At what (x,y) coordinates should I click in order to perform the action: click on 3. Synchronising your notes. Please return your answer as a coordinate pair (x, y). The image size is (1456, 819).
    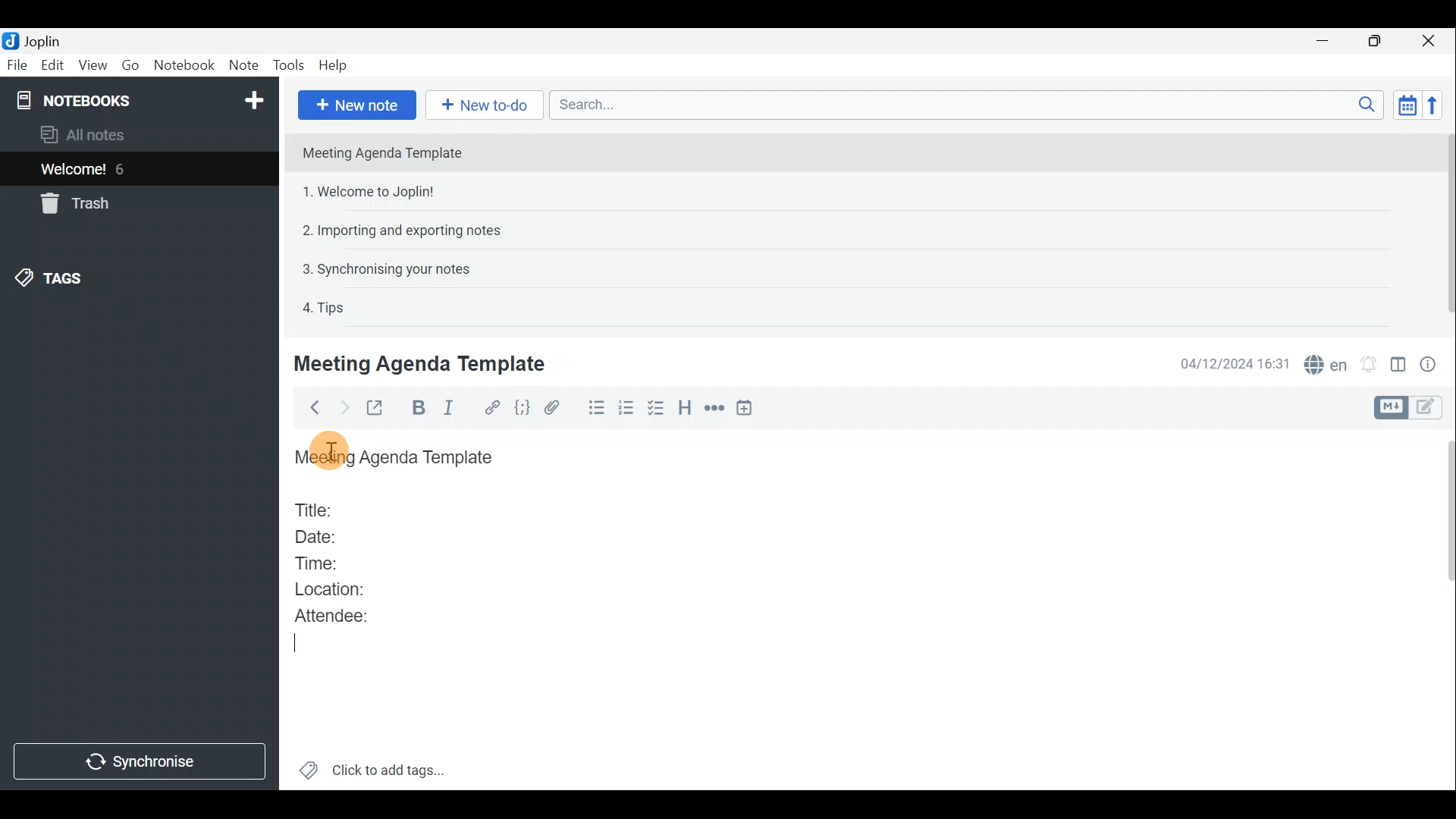
    Looking at the image, I should click on (386, 268).